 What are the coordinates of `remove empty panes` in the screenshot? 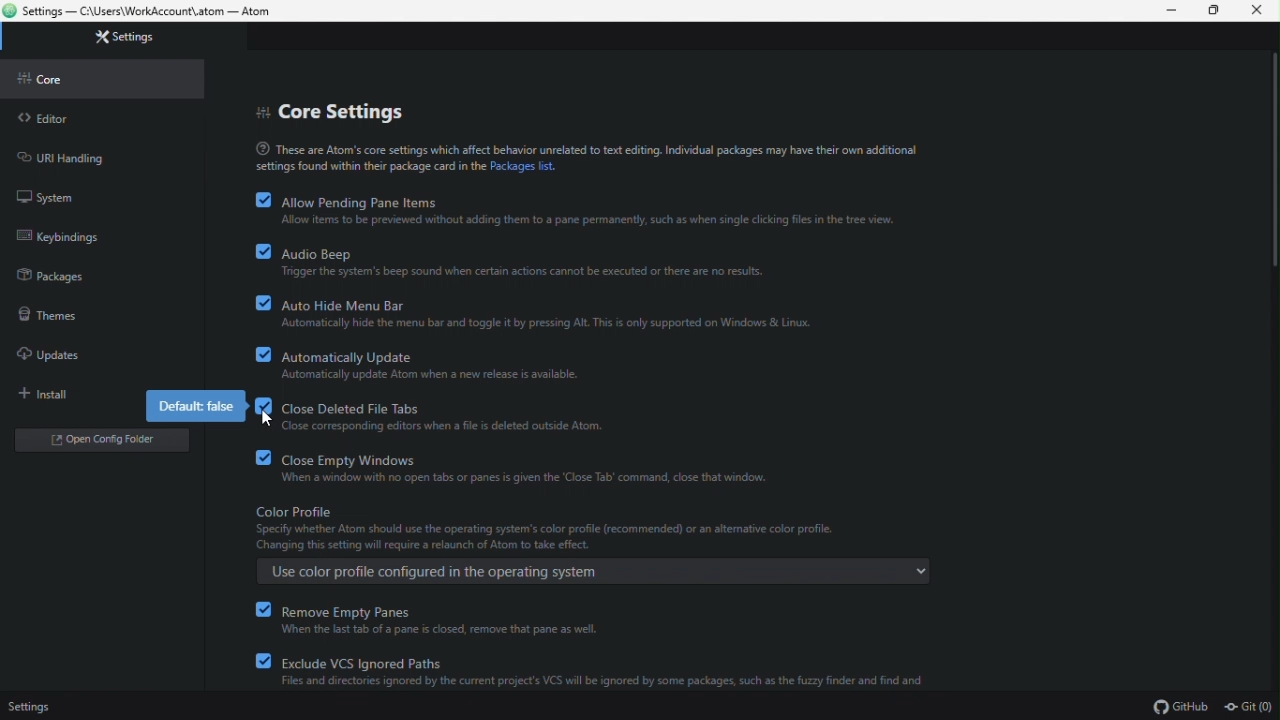 It's located at (449, 619).